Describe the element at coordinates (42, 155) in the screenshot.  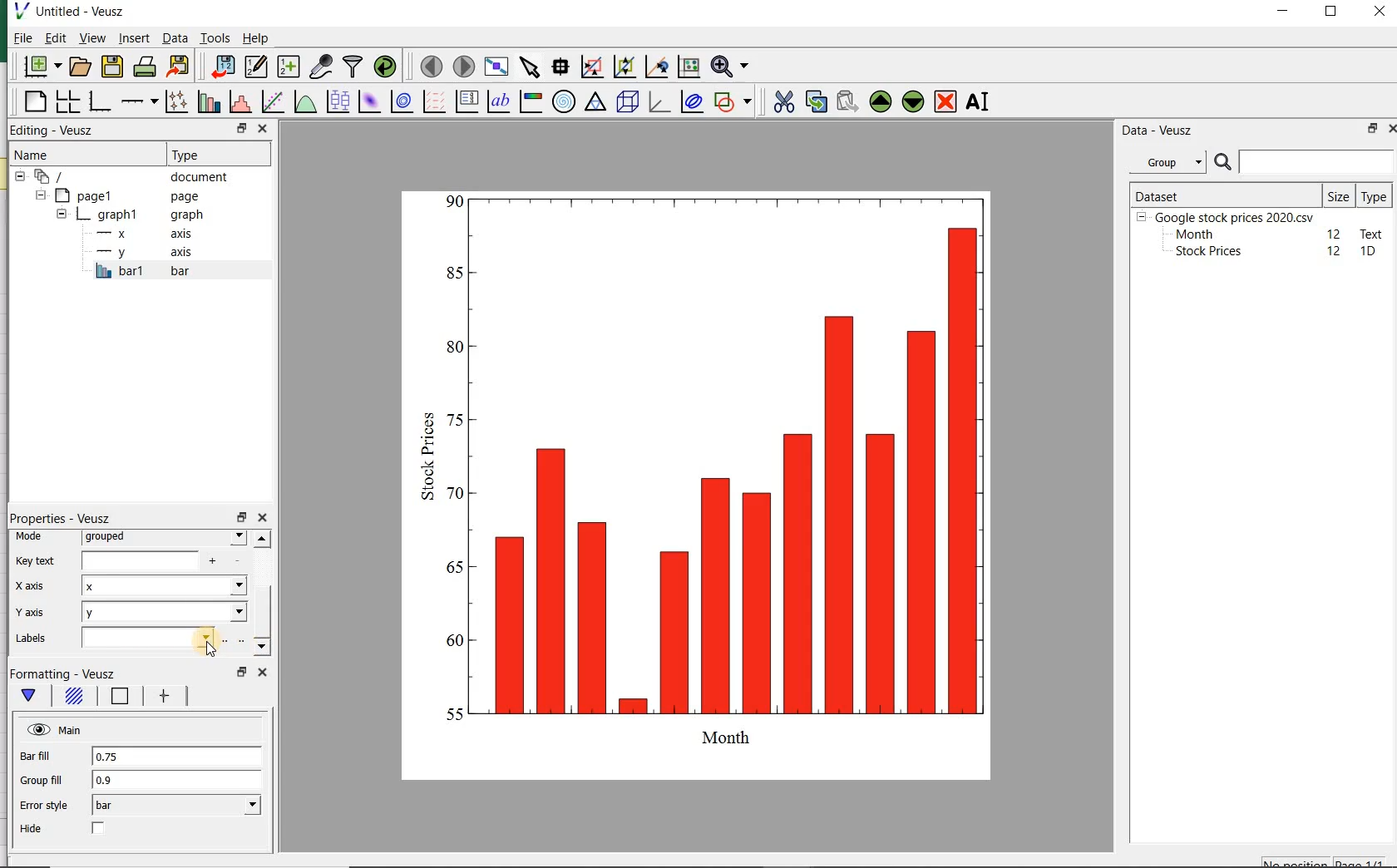
I see `Name` at that location.